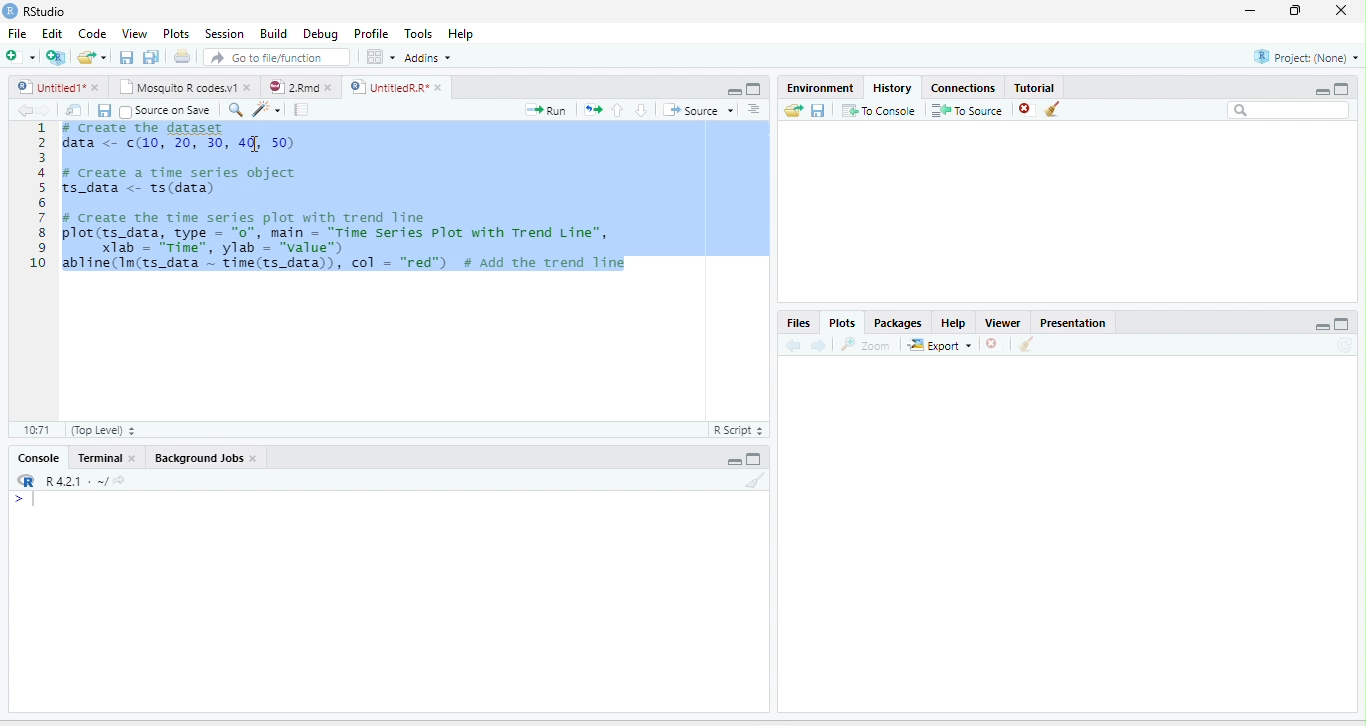  Describe the element at coordinates (102, 430) in the screenshot. I see `(Top Level)` at that location.